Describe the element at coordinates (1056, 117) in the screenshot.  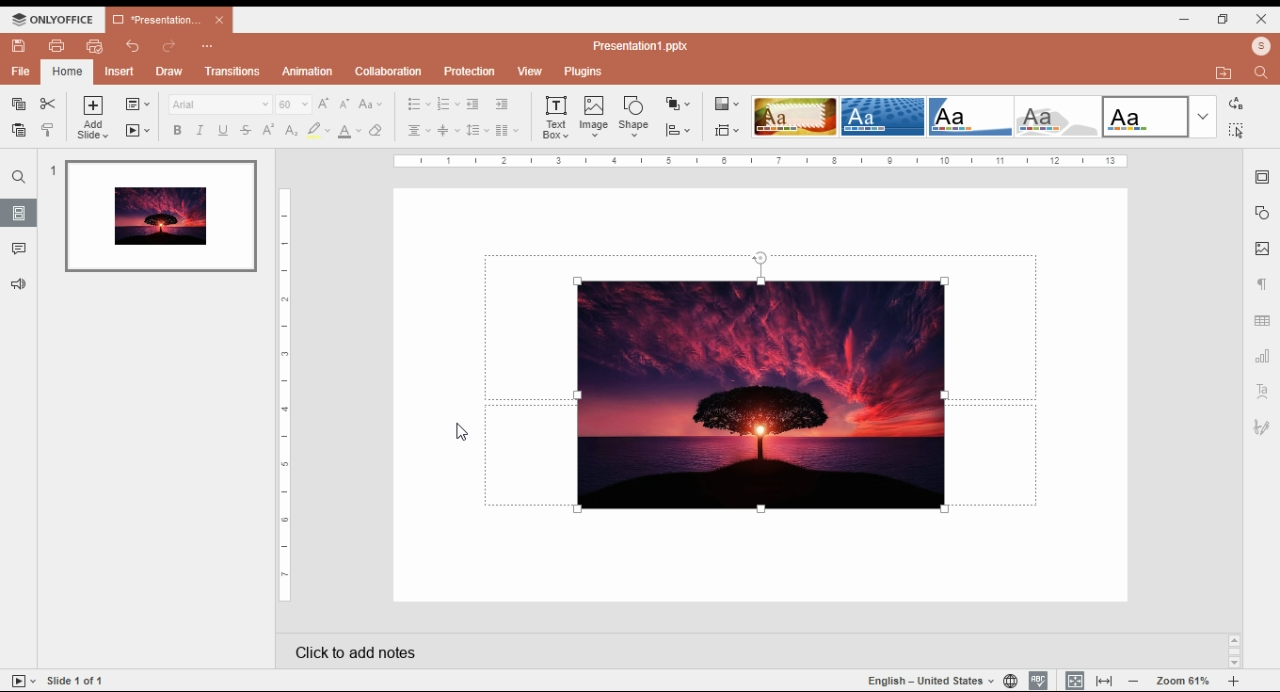
I see `theme 4` at that location.